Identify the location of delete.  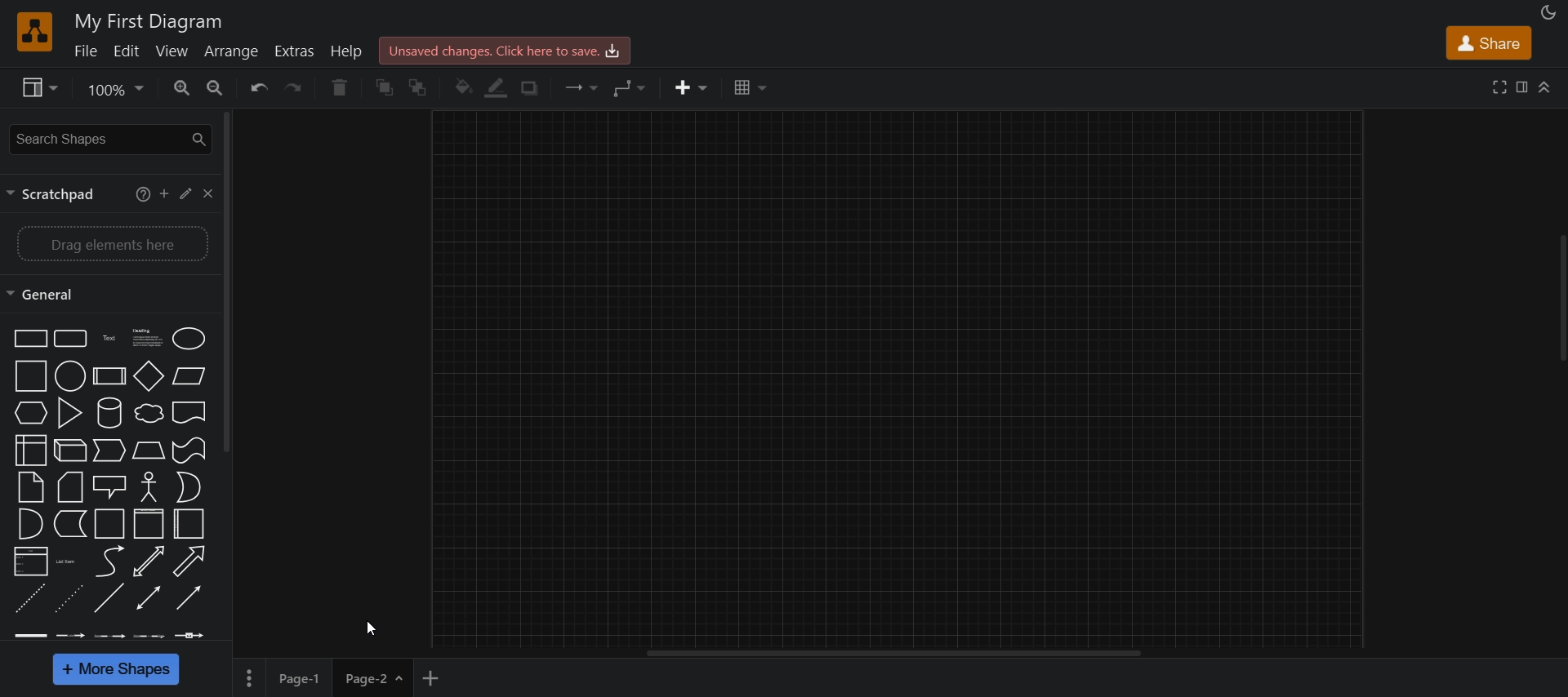
(341, 88).